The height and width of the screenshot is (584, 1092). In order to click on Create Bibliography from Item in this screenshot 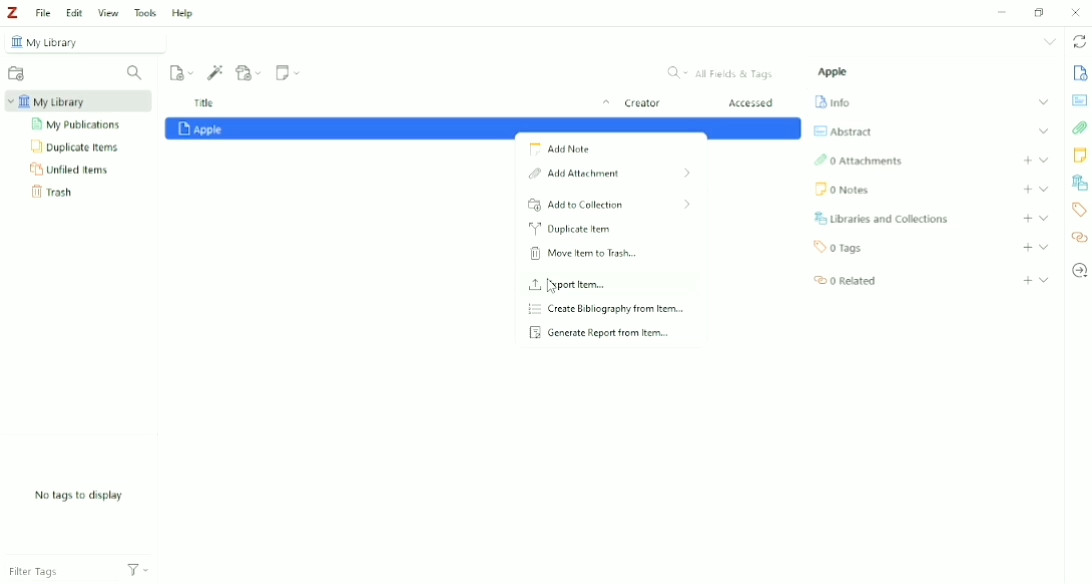, I will do `click(611, 310)`.